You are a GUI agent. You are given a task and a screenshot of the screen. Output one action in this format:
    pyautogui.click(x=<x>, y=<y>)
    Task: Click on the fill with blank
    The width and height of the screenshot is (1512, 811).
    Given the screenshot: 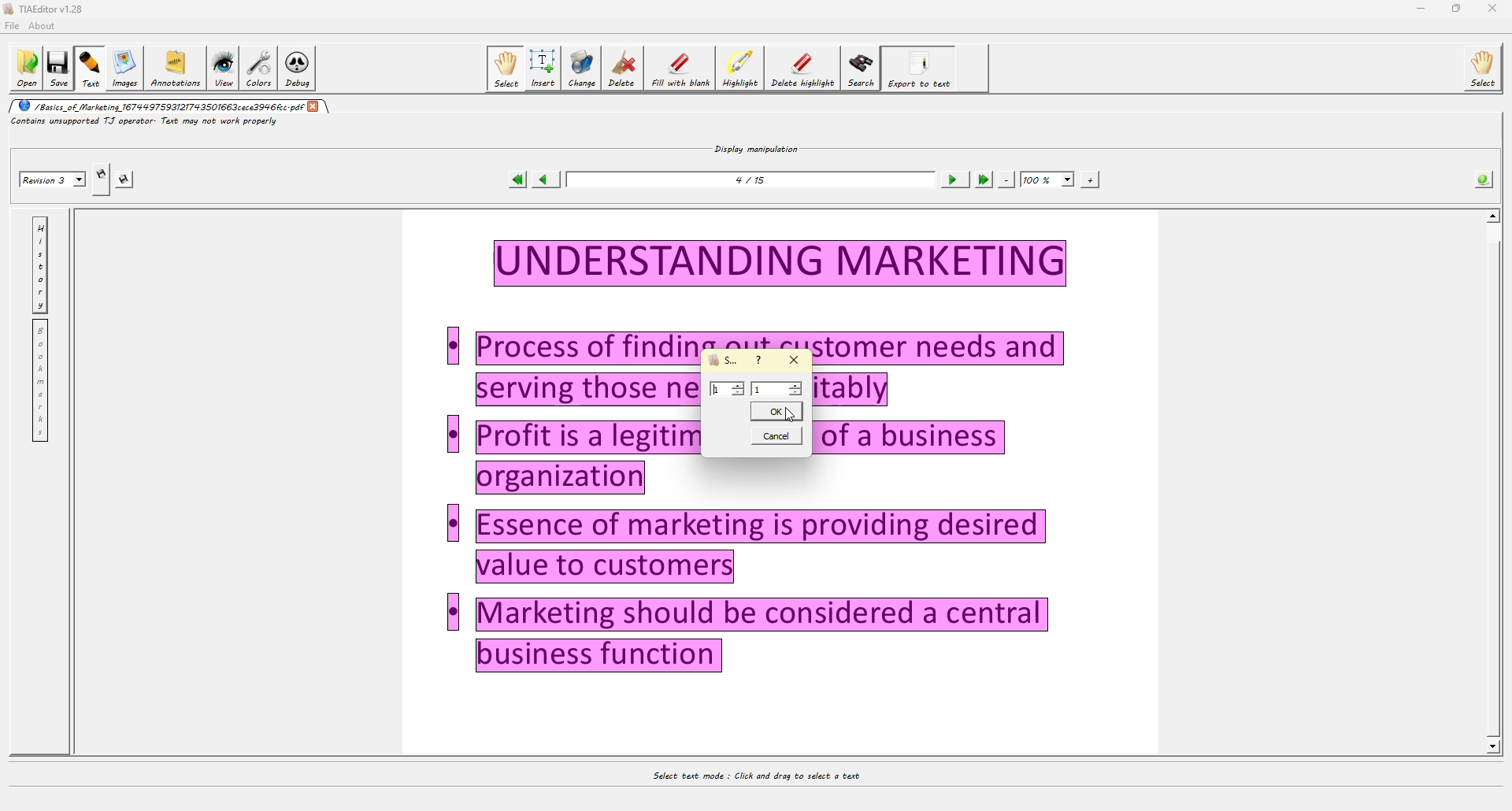 What is the action you would take?
    pyautogui.click(x=683, y=66)
    